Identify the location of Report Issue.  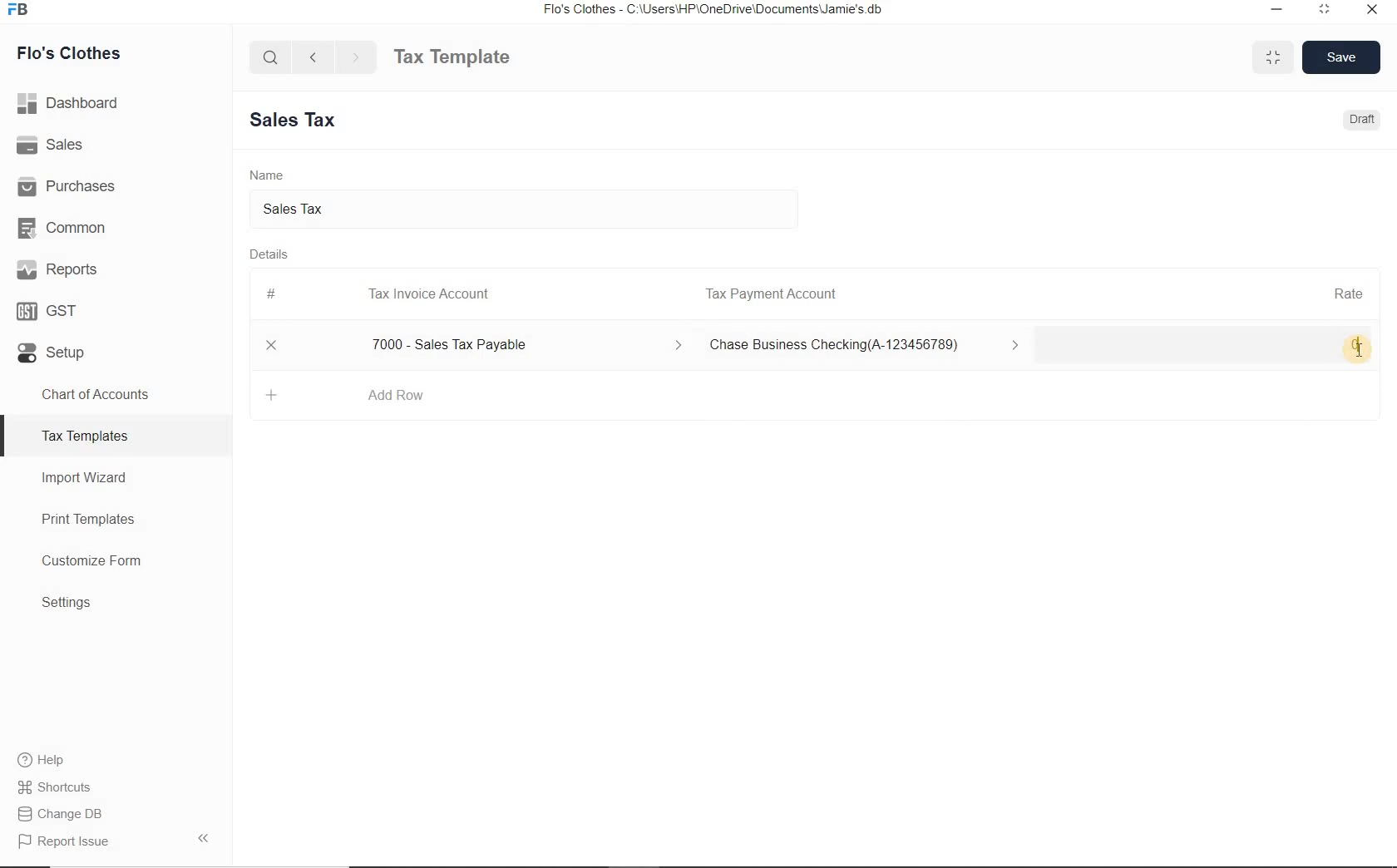
(116, 841).